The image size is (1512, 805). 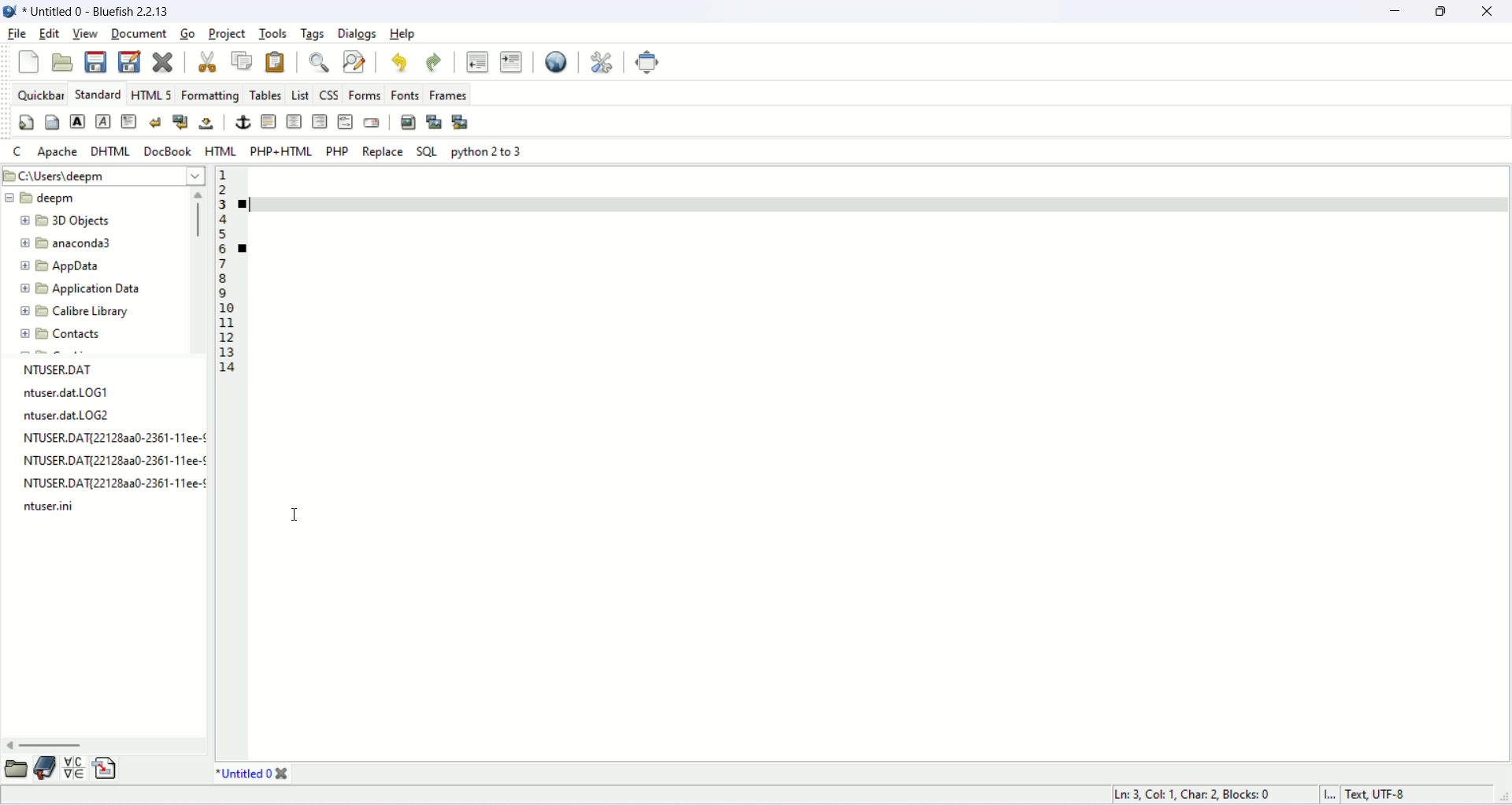 What do you see at coordinates (270, 121) in the screenshot?
I see `horizontal rule` at bounding box center [270, 121].